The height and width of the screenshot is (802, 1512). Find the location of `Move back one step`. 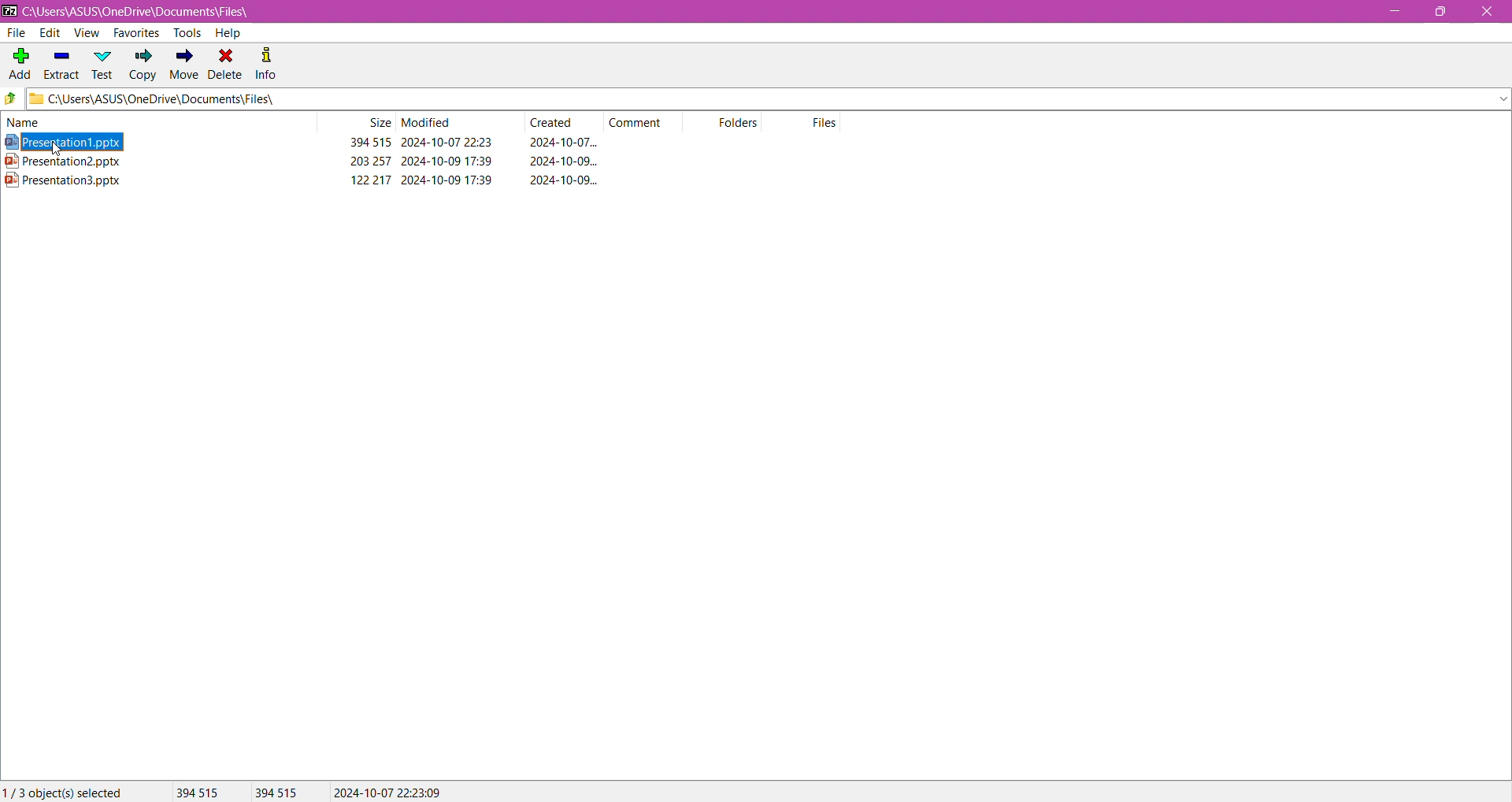

Move back one step is located at coordinates (11, 100).